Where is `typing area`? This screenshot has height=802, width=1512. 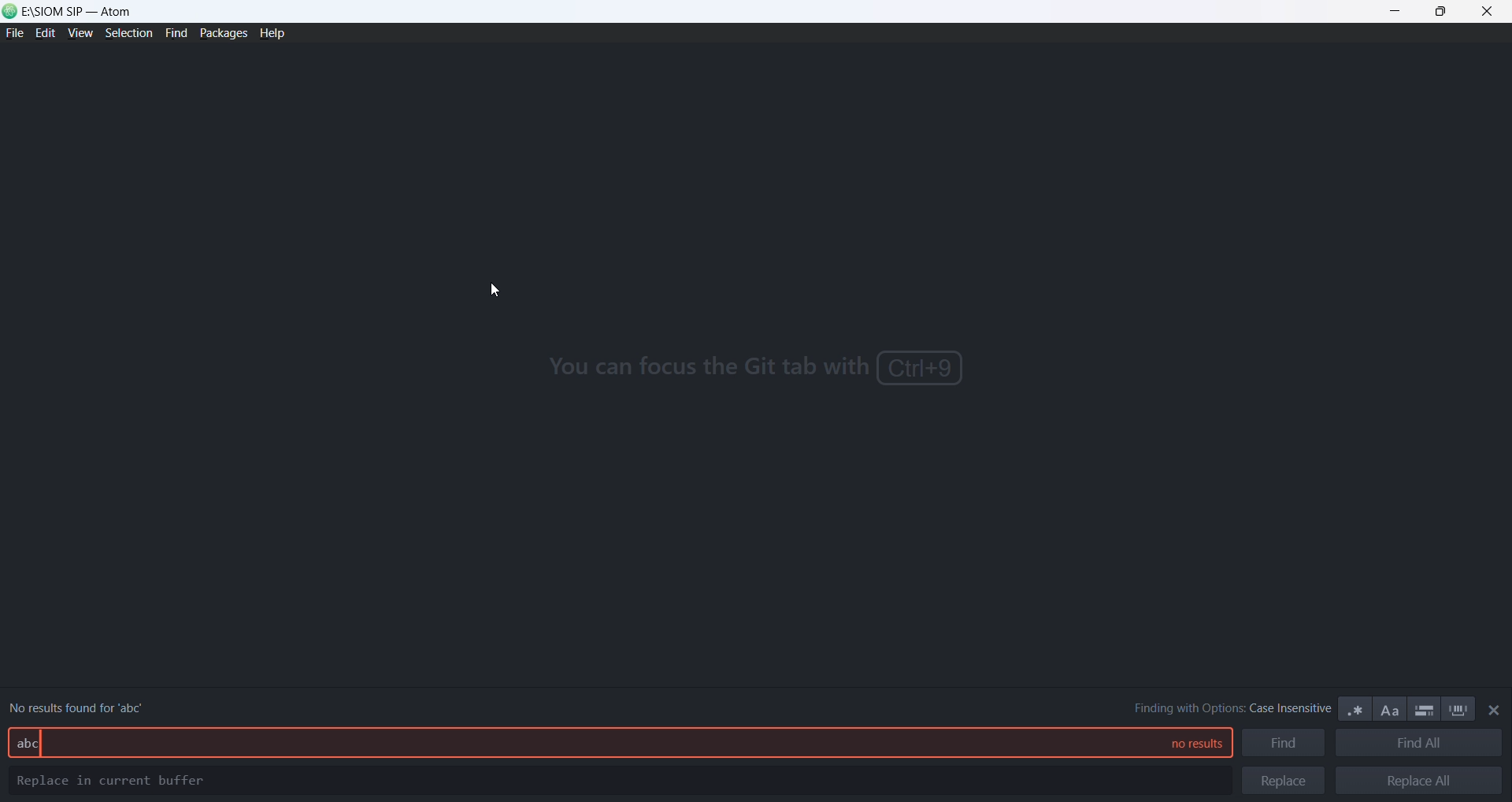
typing area is located at coordinates (571, 741).